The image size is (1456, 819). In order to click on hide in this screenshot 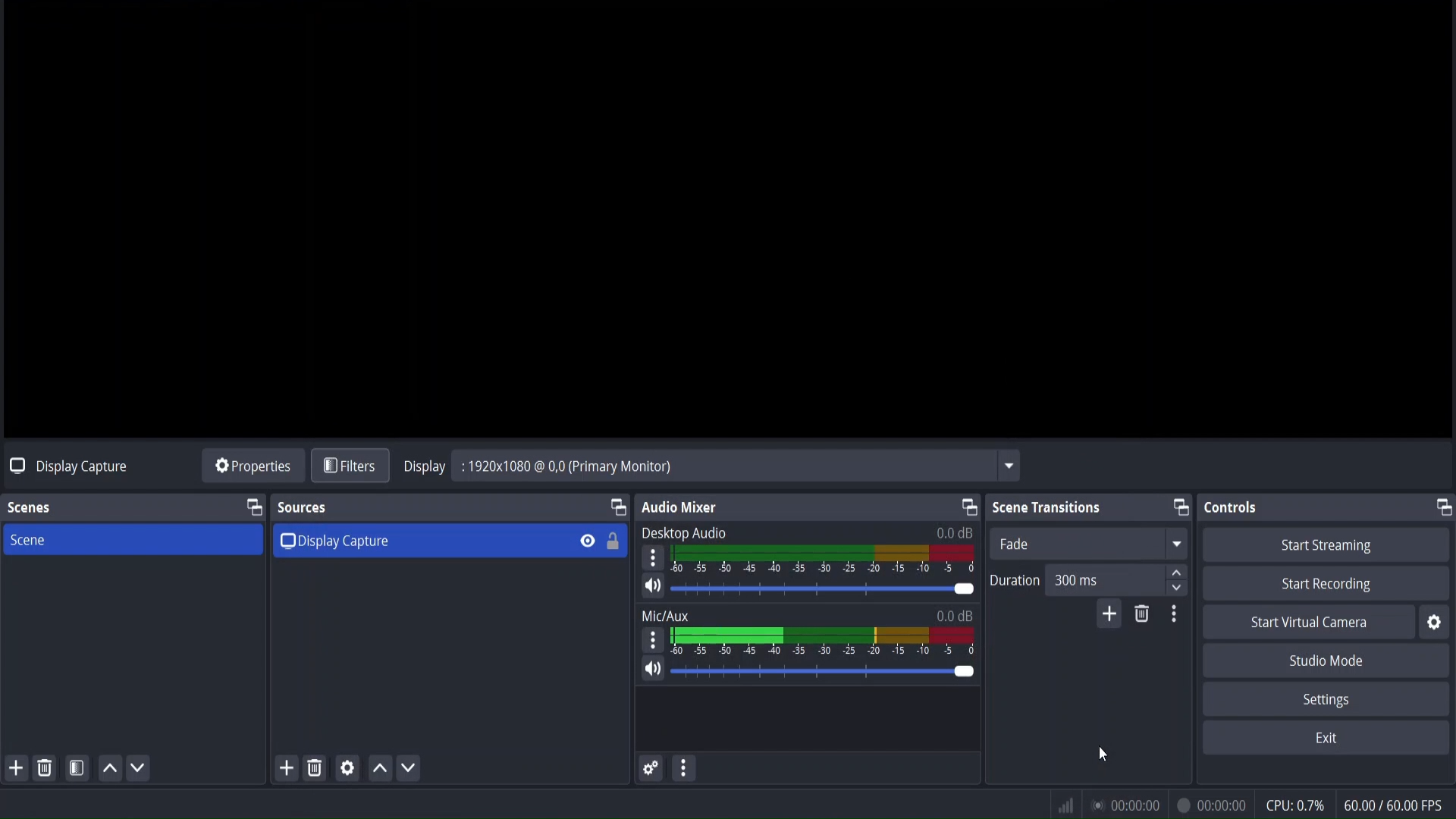, I will do `click(588, 541)`.